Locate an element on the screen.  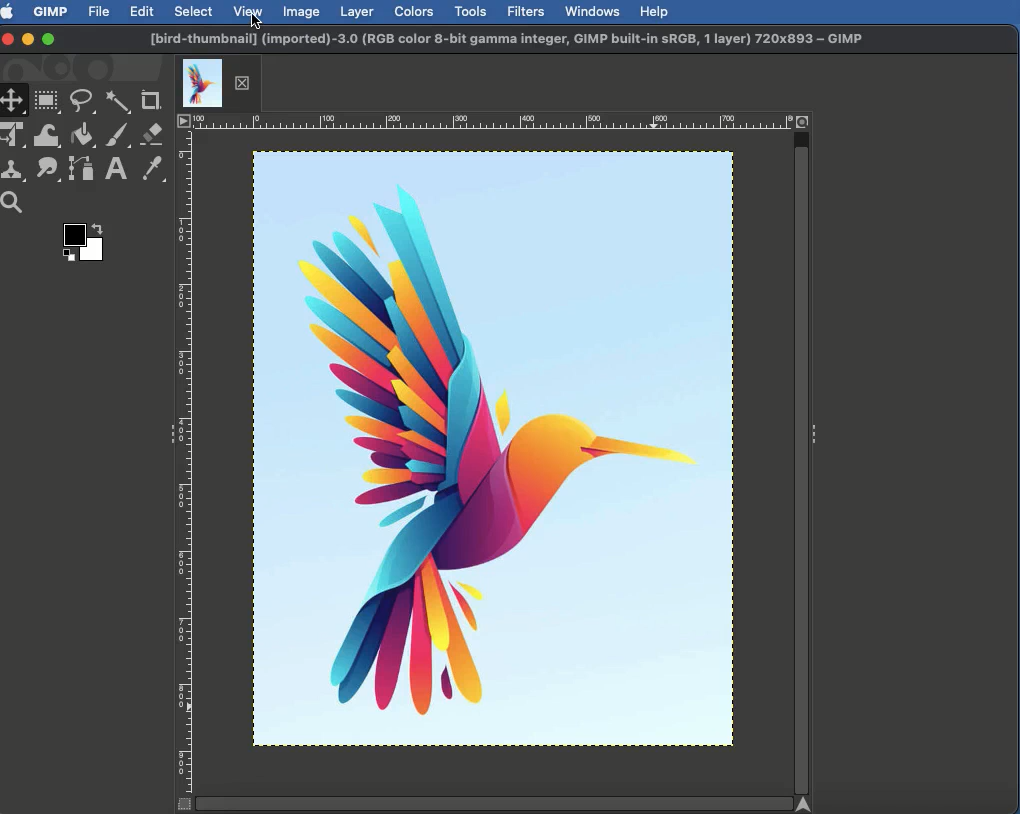
vertical Ruler is located at coordinates (186, 462).